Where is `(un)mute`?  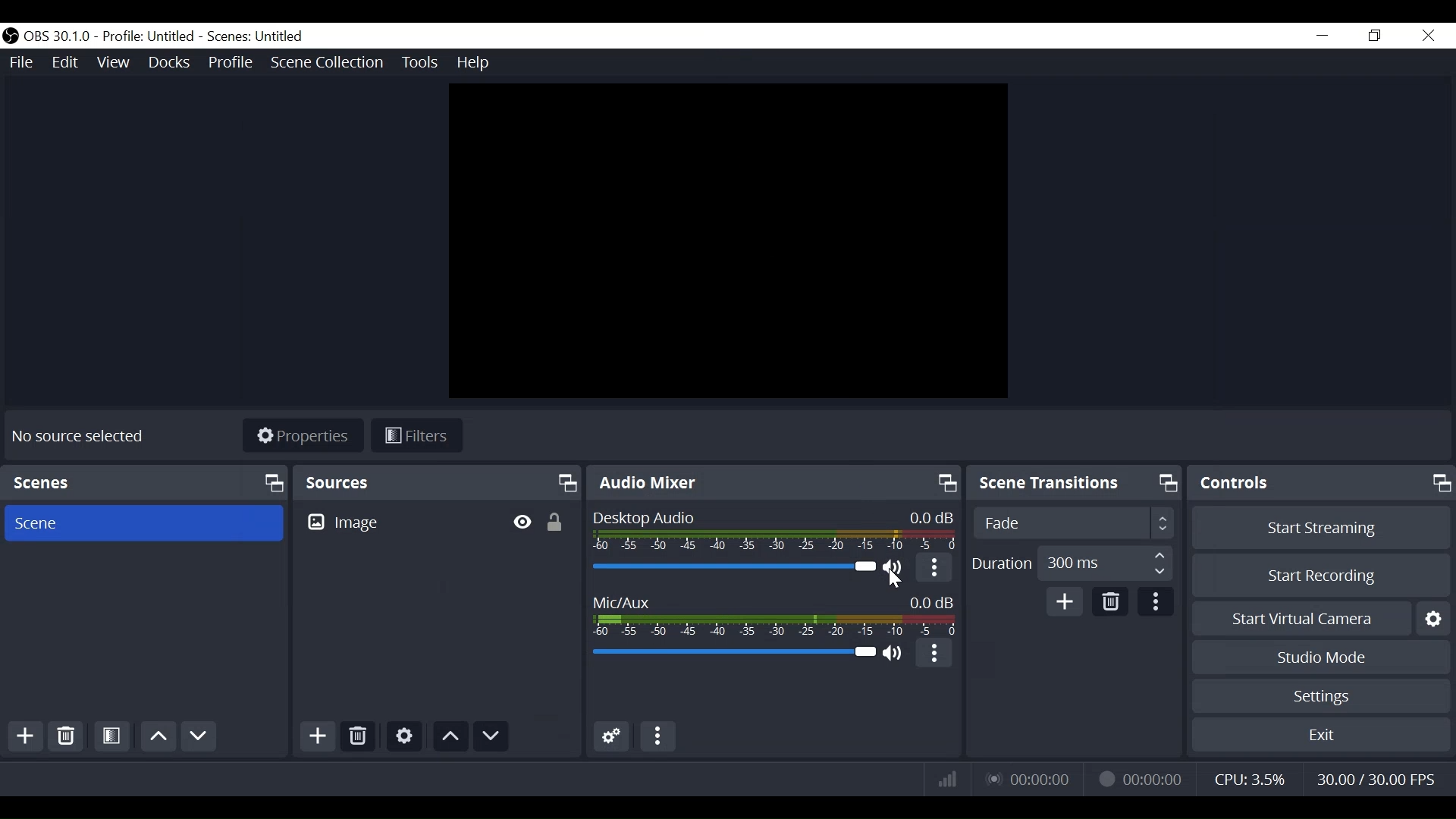
(un)mute is located at coordinates (894, 654).